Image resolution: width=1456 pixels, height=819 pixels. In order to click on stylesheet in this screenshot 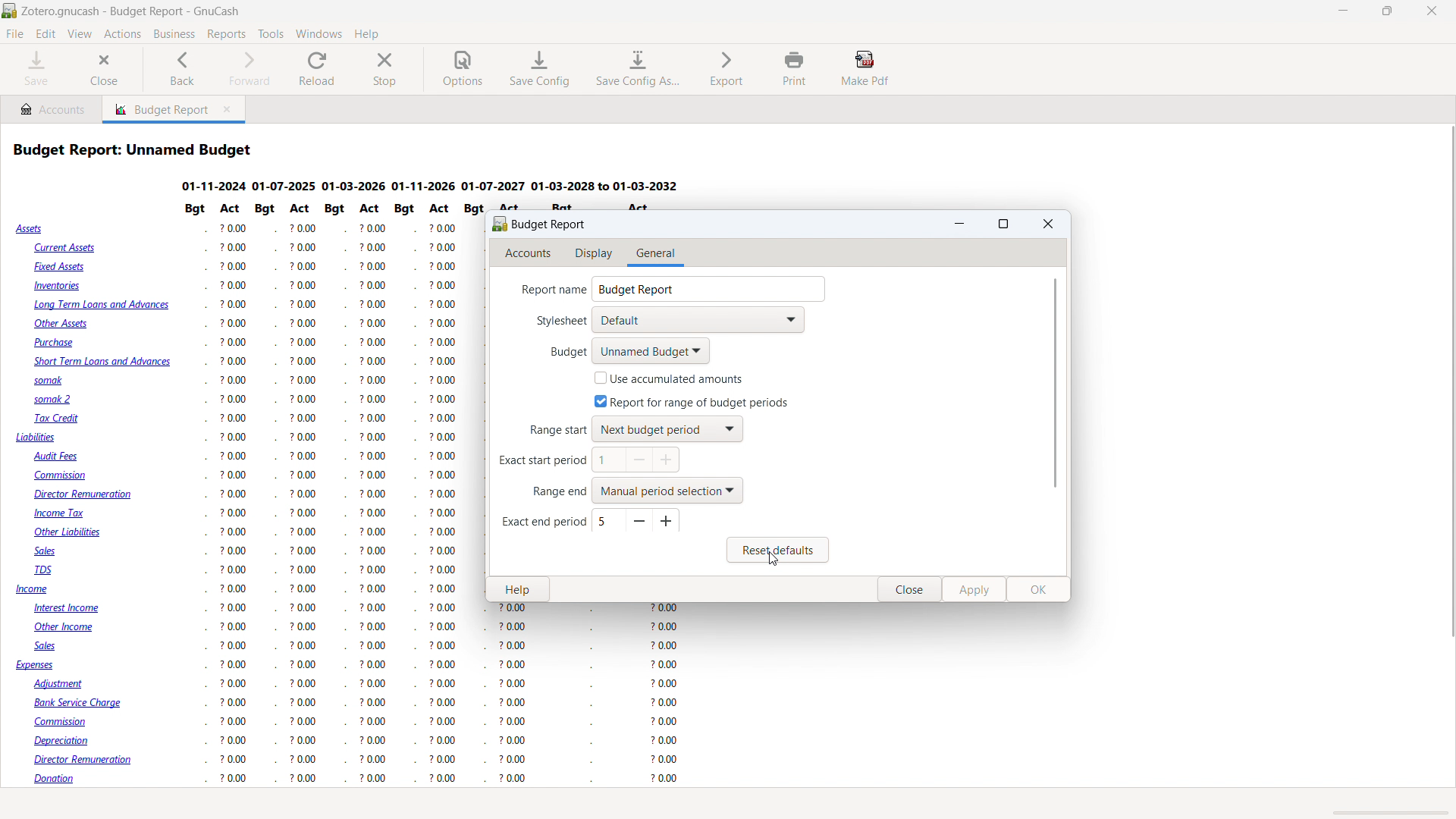, I will do `click(698, 320)`.